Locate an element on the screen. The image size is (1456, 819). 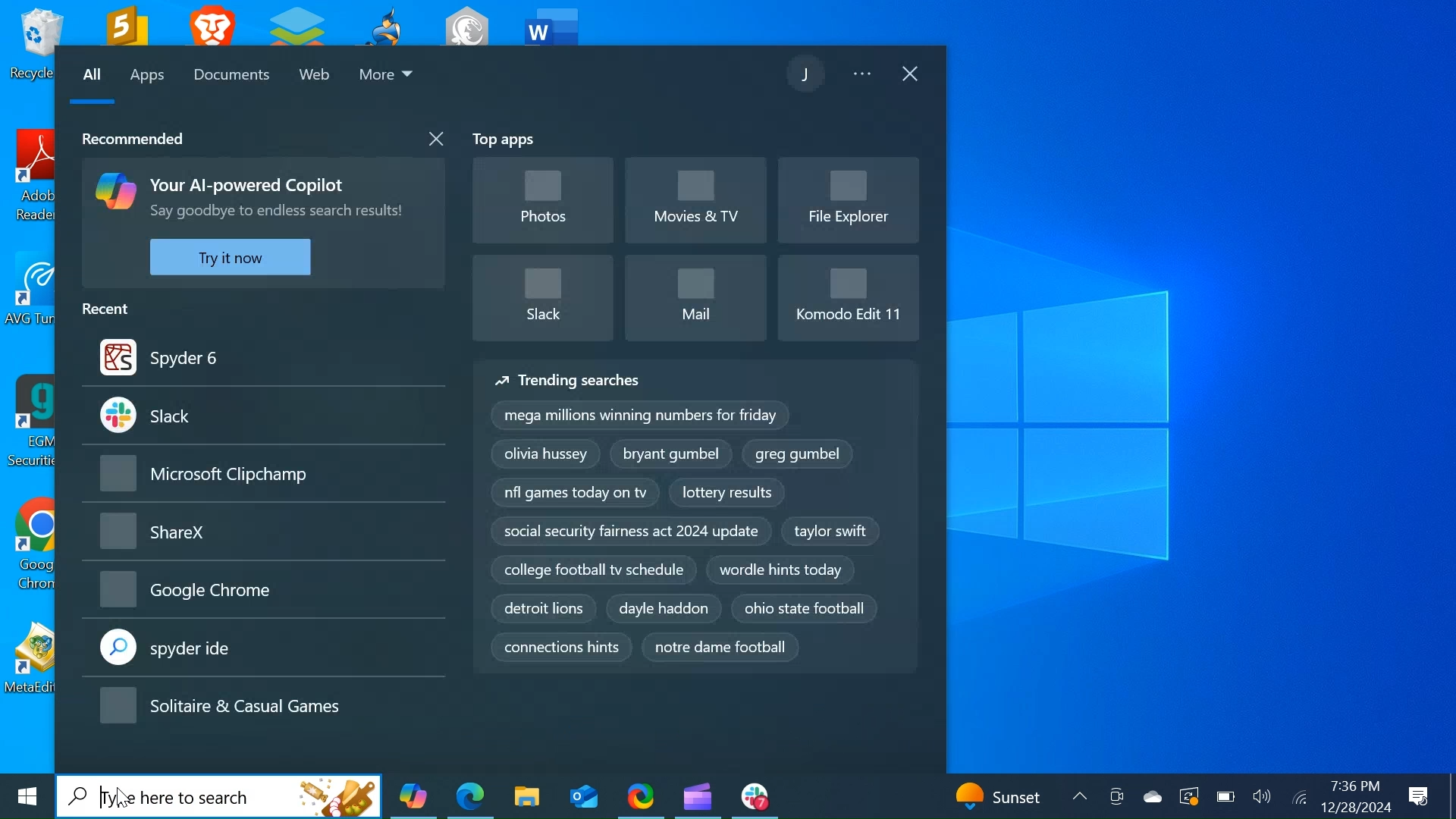
Spyder ide is located at coordinates (264, 649).